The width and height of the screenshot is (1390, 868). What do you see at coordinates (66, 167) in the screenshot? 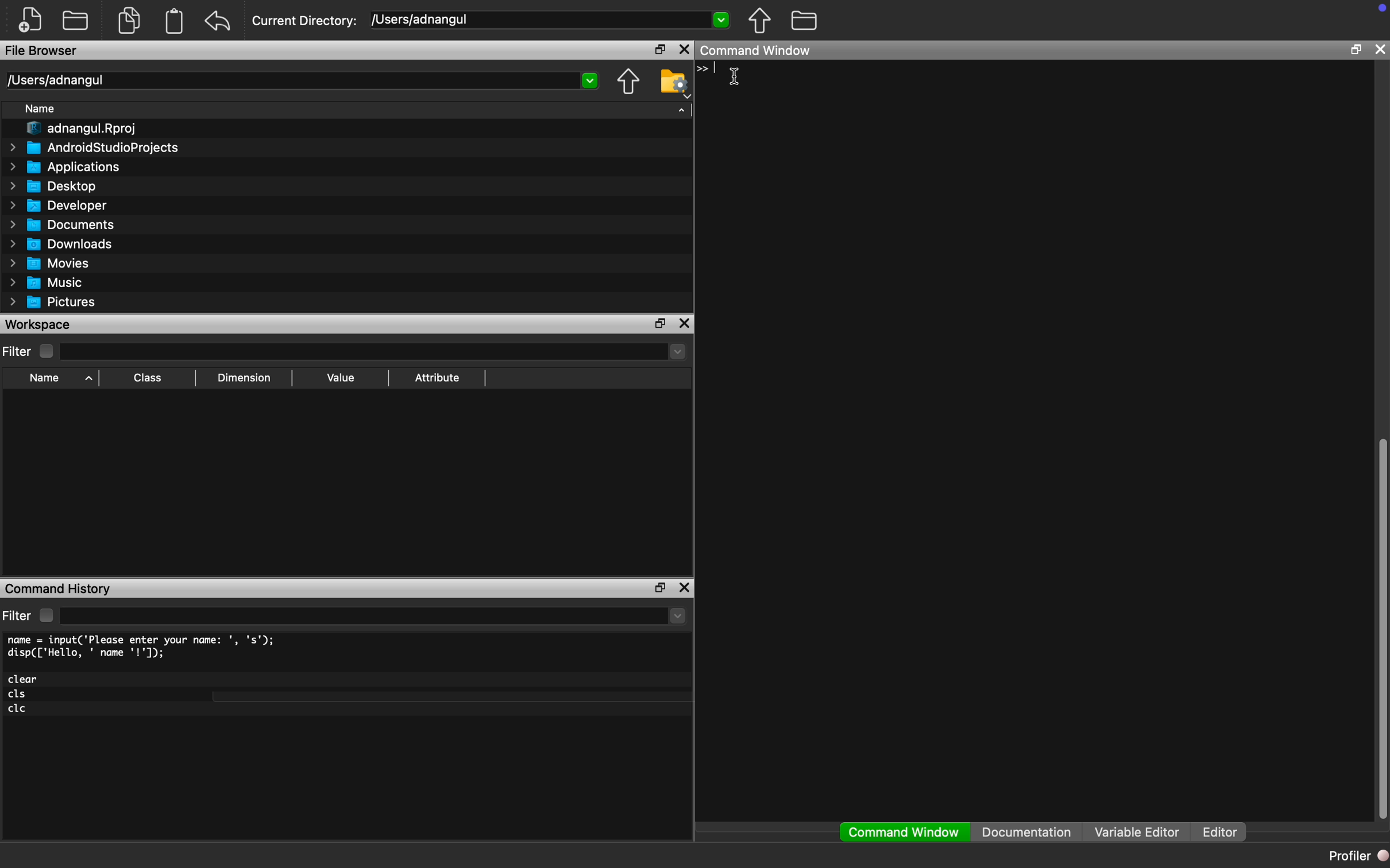
I see `Applications` at bounding box center [66, 167].